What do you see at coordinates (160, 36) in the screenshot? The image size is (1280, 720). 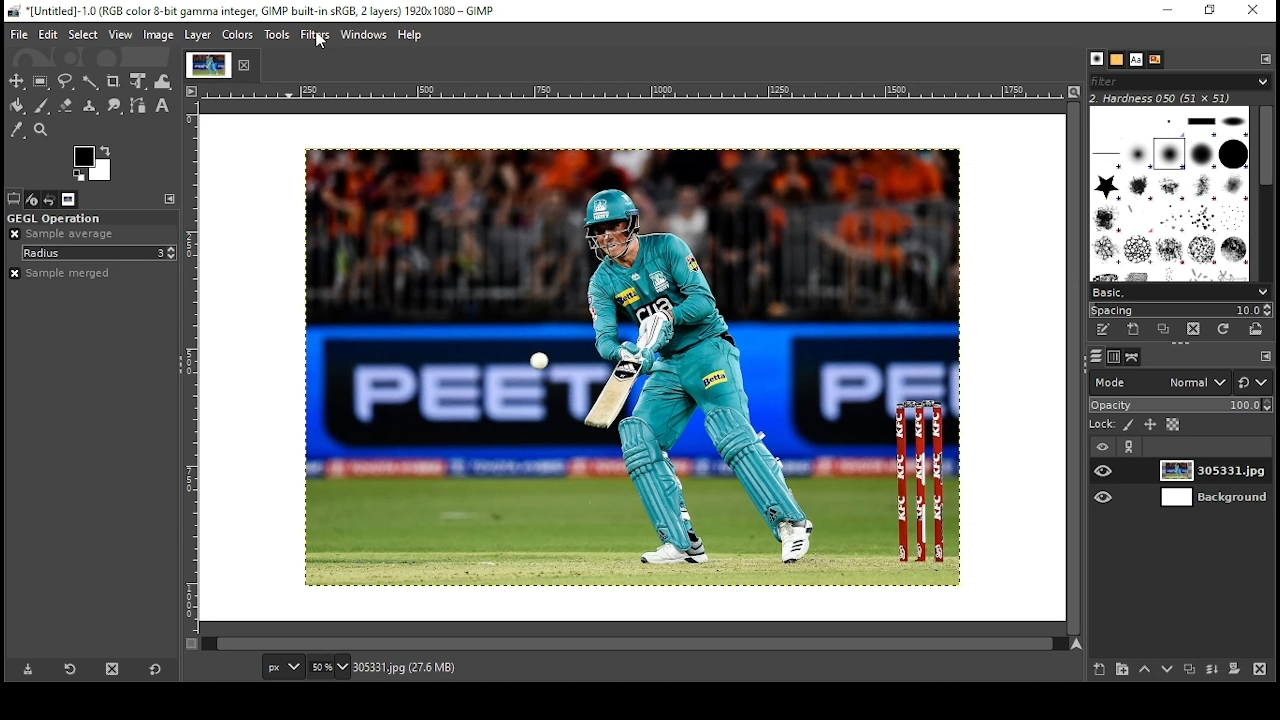 I see `image` at bounding box center [160, 36].